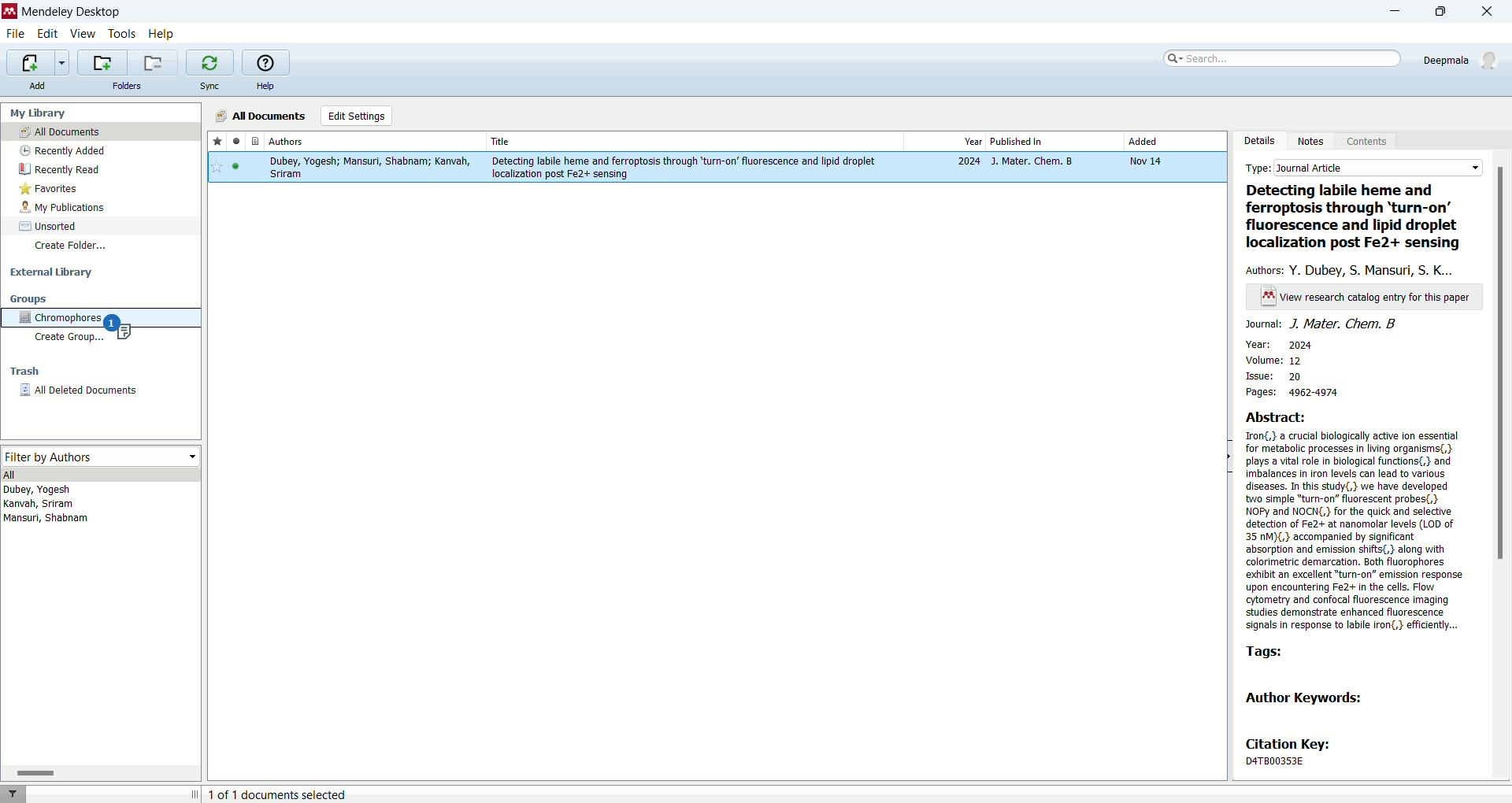 Image resolution: width=1512 pixels, height=803 pixels. Describe the element at coordinates (49, 520) in the screenshot. I see `Mansuri, shabnam` at that location.